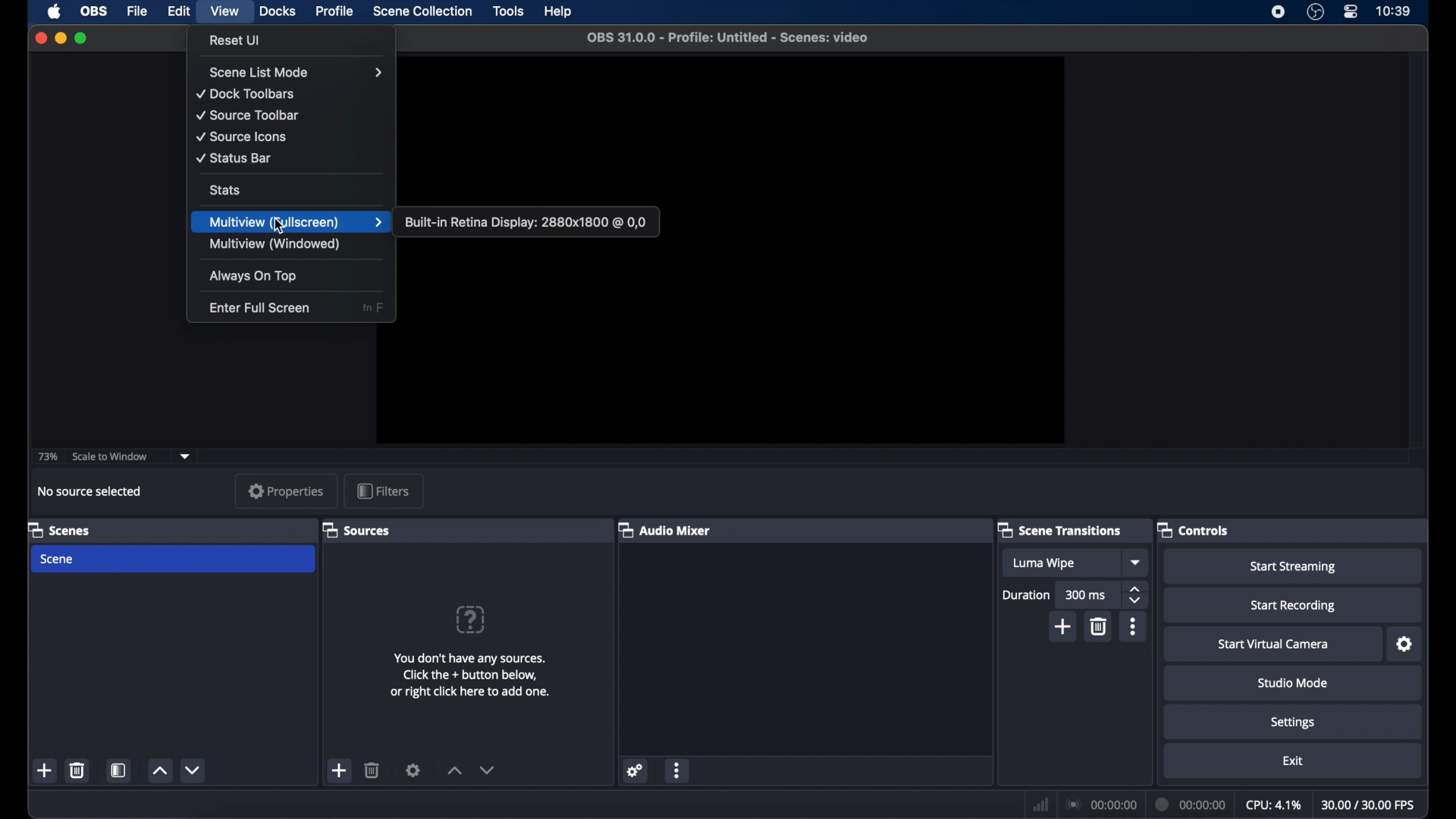  Describe the element at coordinates (678, 770) in the screenshot. I see `more options` at that location.